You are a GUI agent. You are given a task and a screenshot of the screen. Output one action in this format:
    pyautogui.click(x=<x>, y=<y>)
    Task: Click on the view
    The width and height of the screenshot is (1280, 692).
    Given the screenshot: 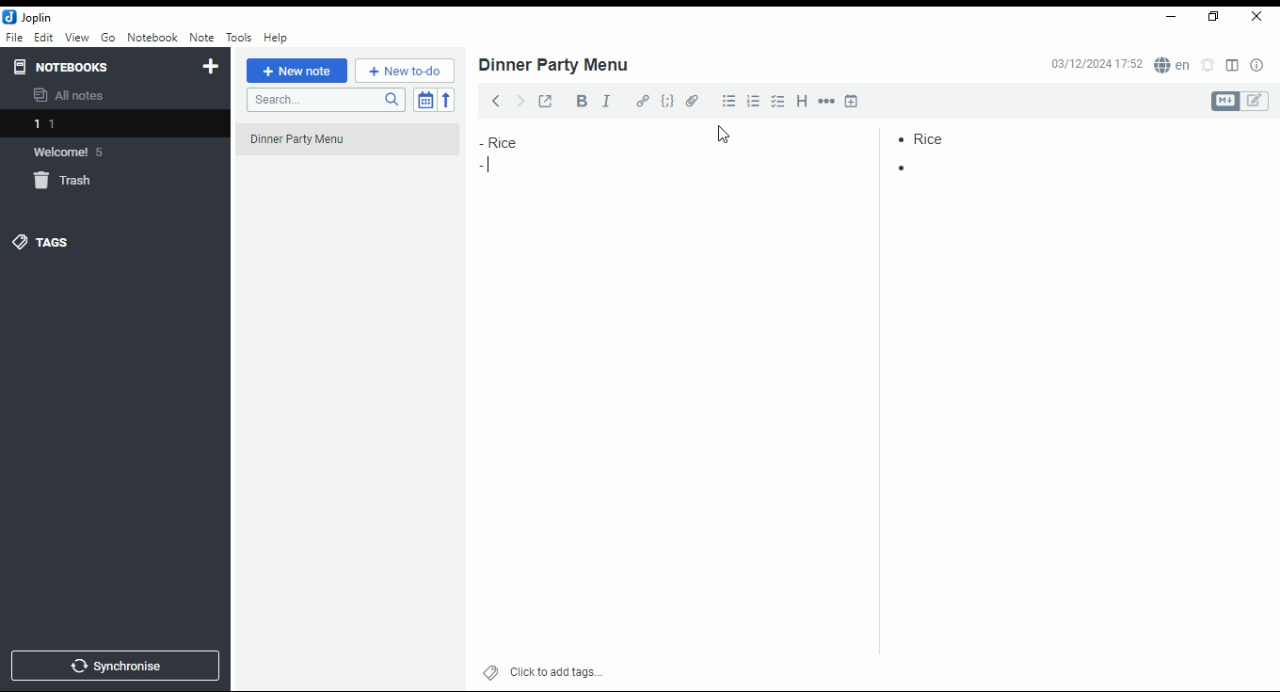 What is the action you would take?
    pyautogui.click(x=76, y=38)
    